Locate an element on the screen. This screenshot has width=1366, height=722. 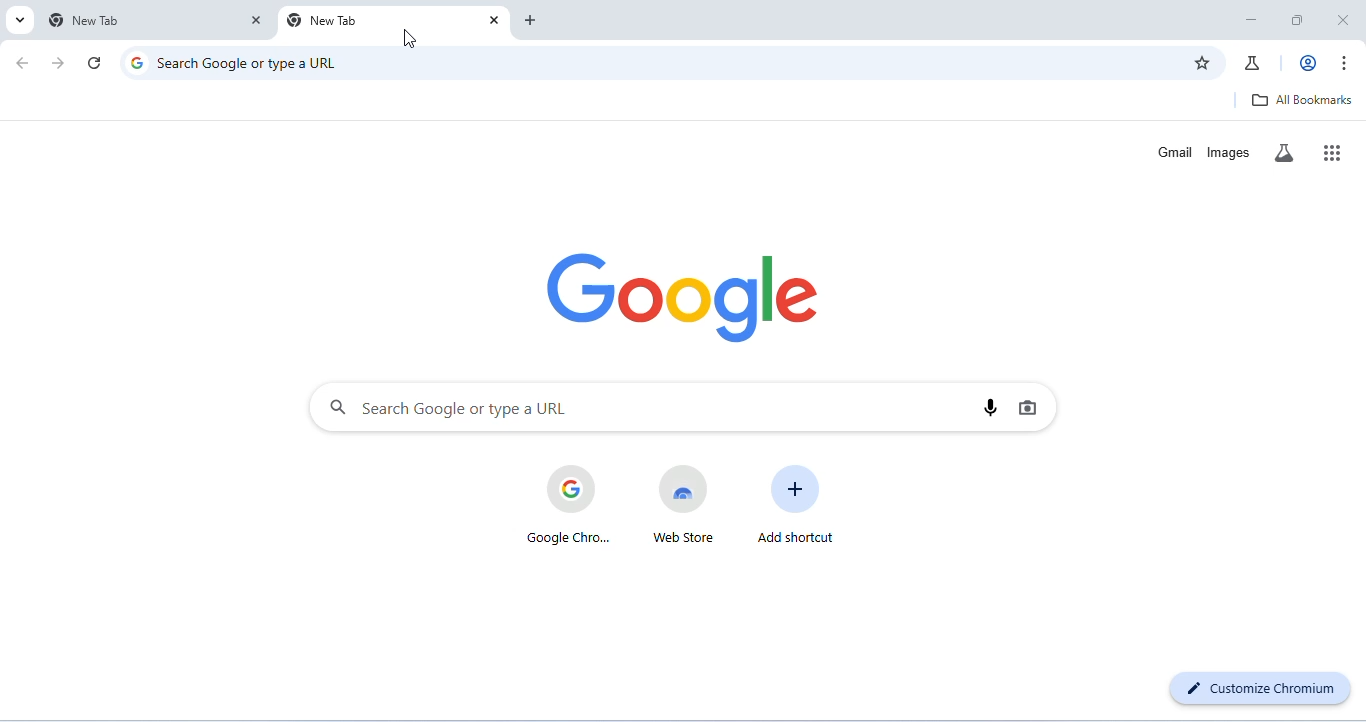
new tab is located at coordinates (326, 21).